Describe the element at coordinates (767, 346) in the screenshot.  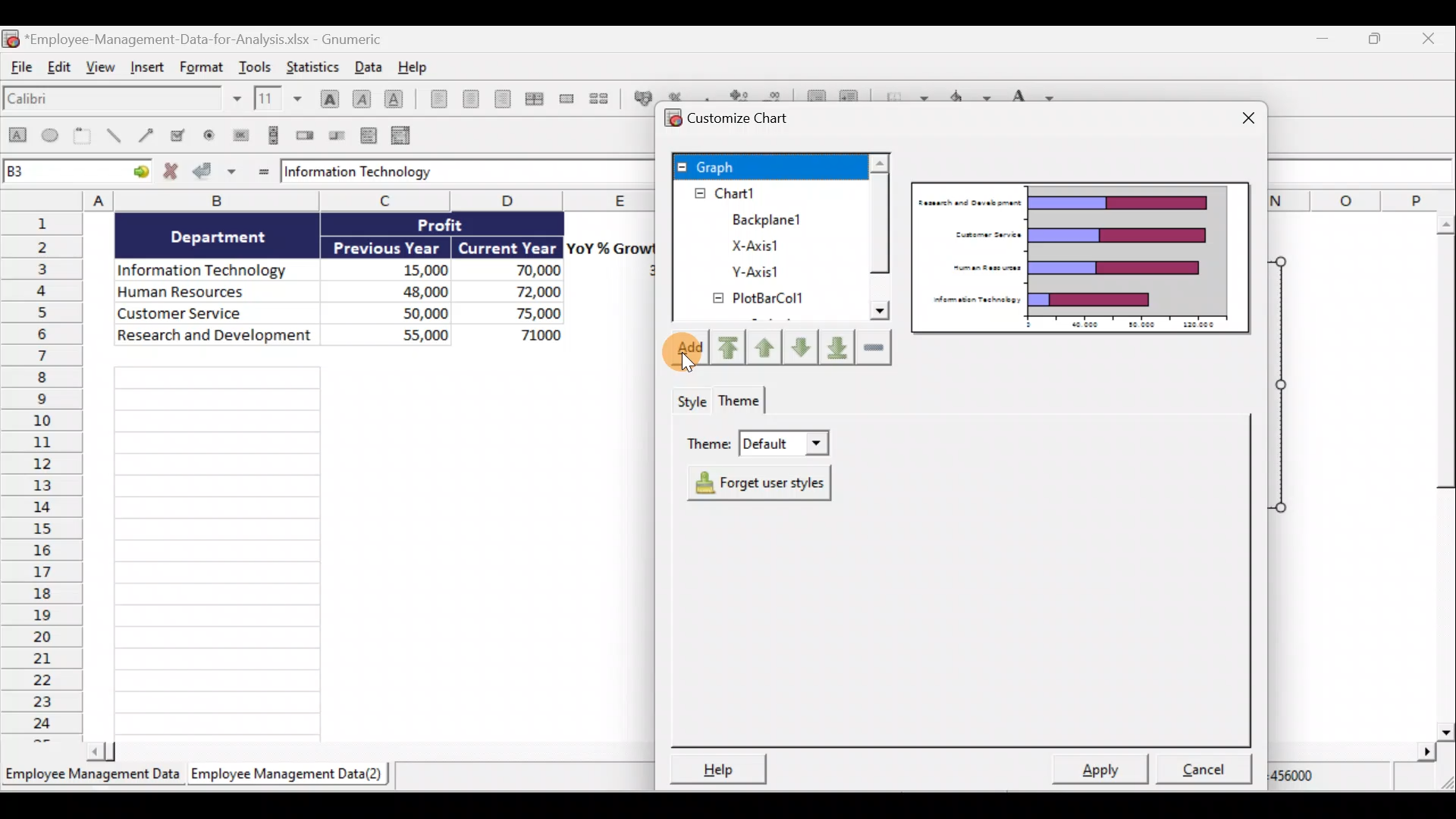
I see `Move upward` at that location.